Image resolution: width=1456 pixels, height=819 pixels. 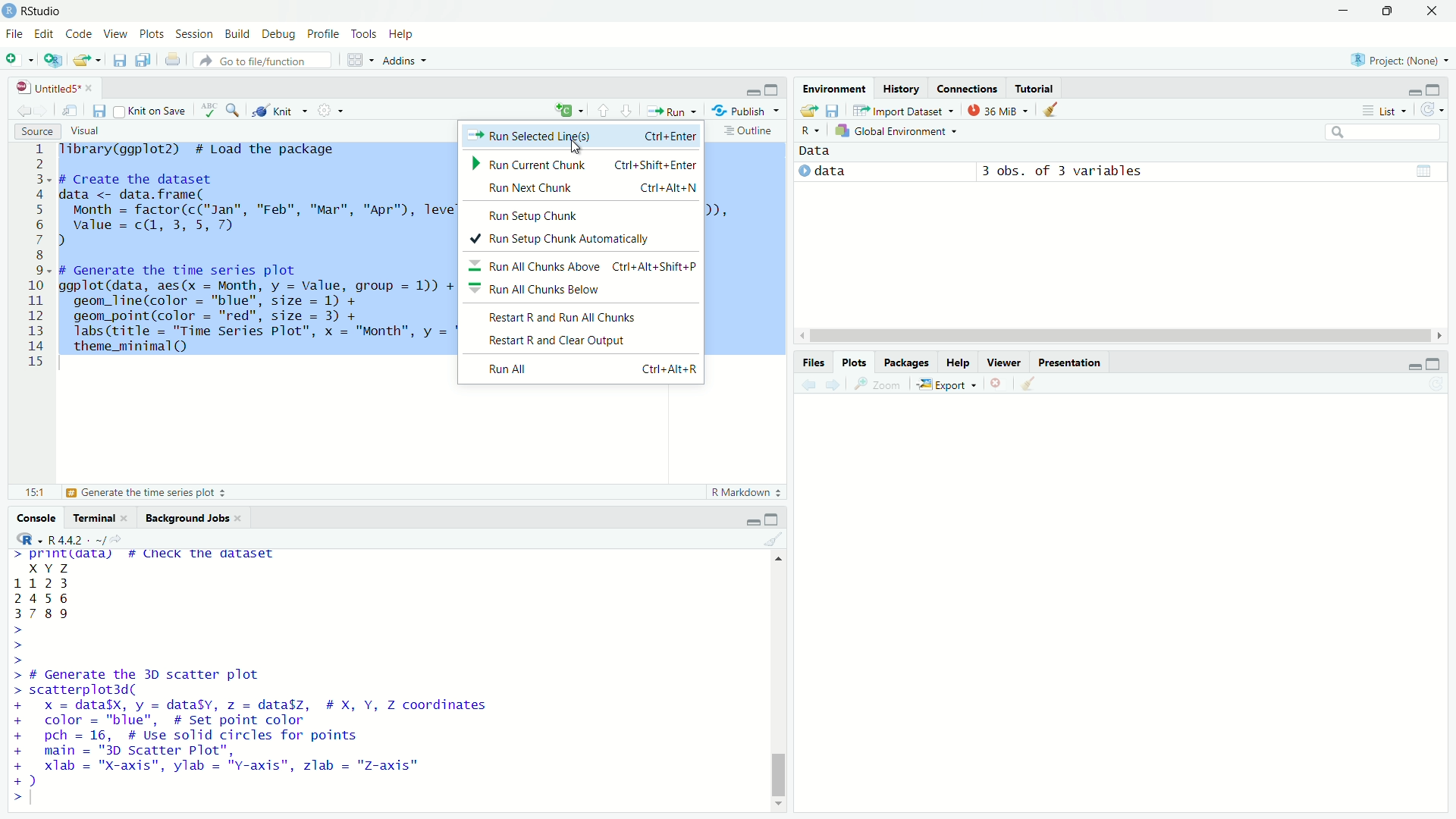 I want to click on profile, so click(x=325, y=34).